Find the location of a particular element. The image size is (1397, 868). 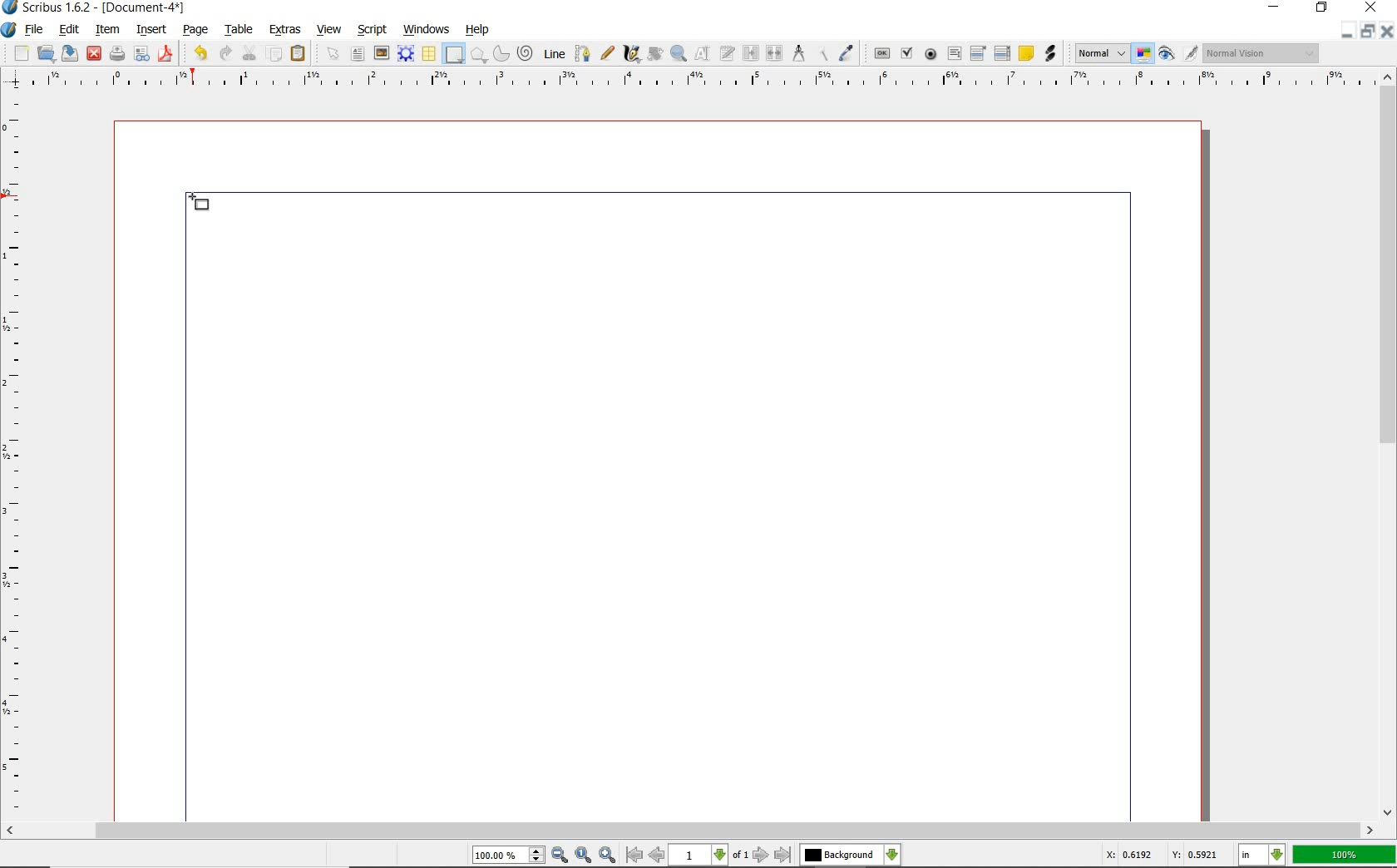

in is located at coordinates (1262, 855).